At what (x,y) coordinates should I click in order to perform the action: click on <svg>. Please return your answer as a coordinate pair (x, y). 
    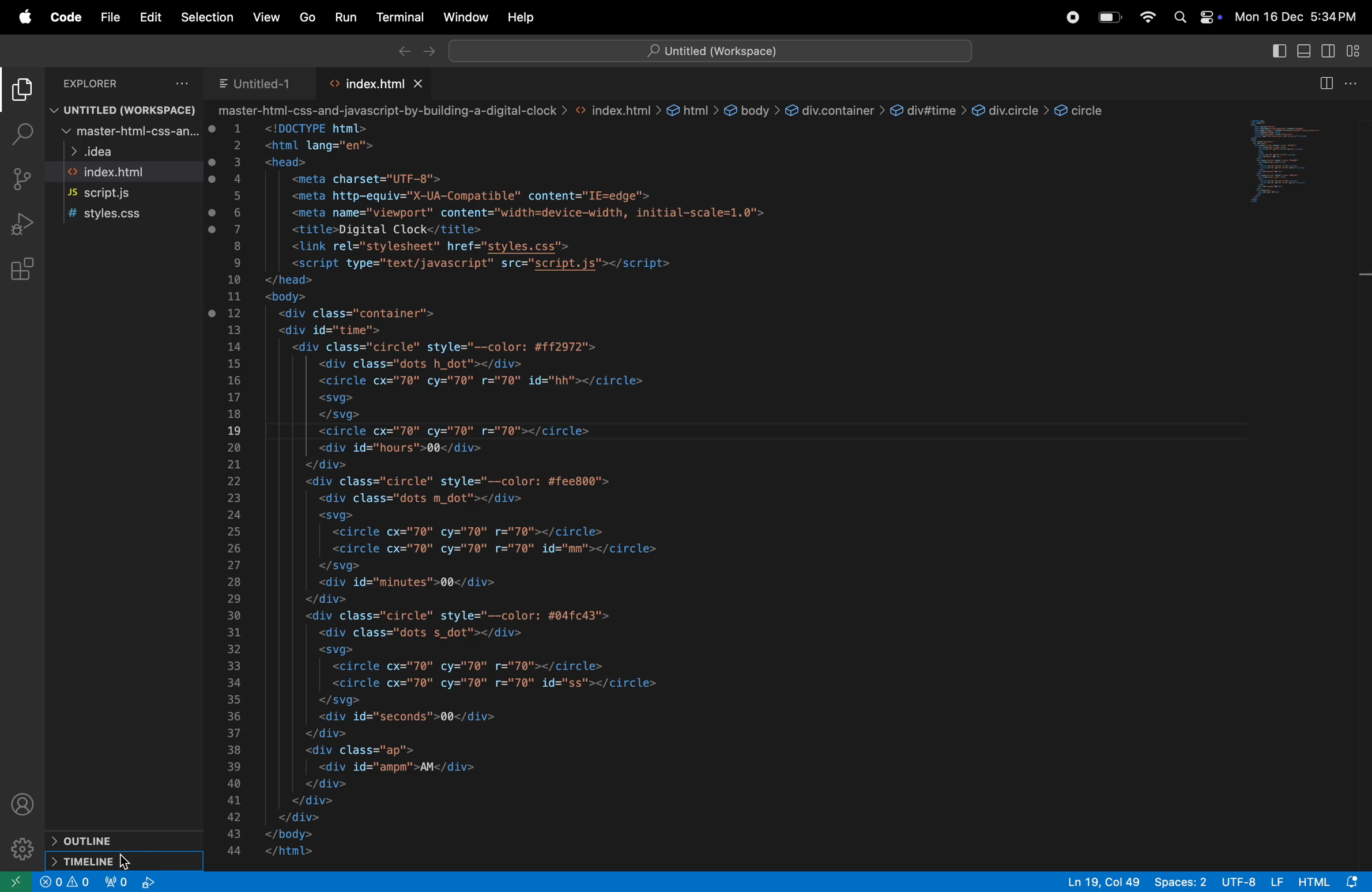
    Looking at the image, I should click on (336, 649).